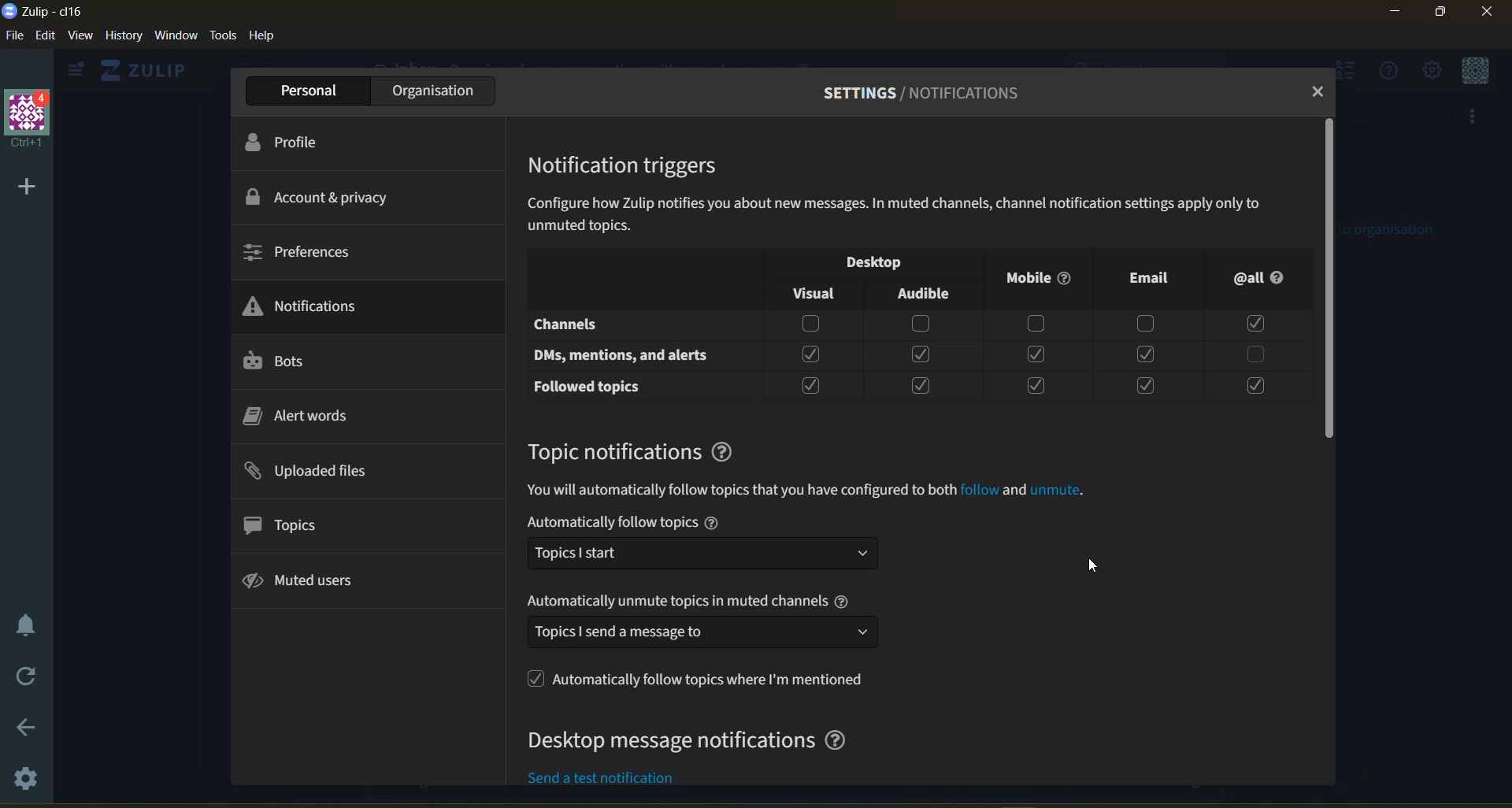 The height and width of the screenshot is (808, 1512). What do you see at coordinates (907, 92) in the screenshot?
I see `settings/profile` at bounding box center [907, 92].